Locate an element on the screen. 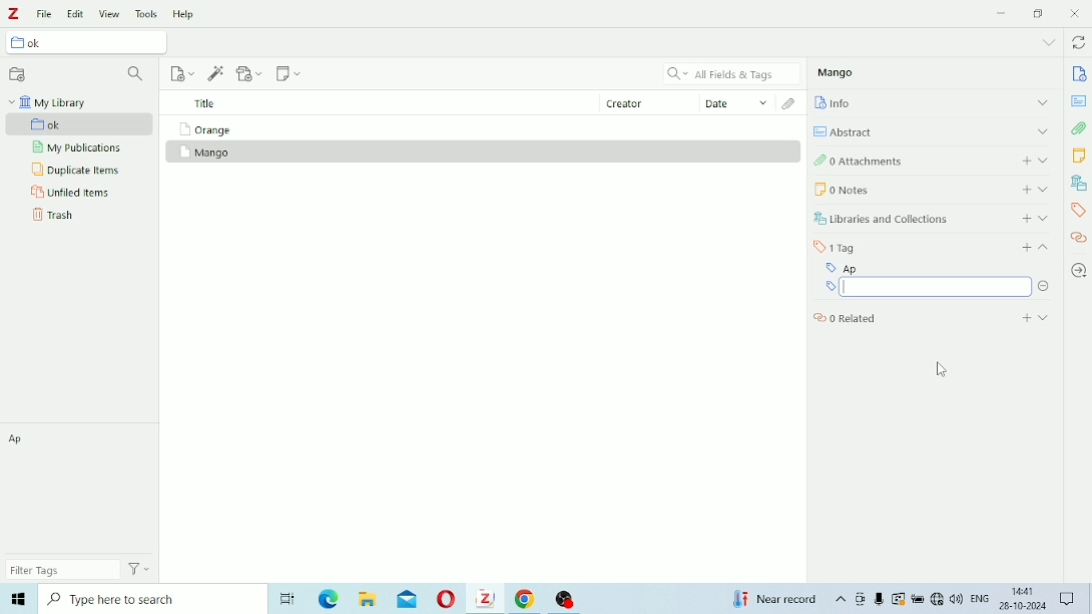 The height and width of the screenshot is (614, 1092). My Library is located at coordinates (49, 100).